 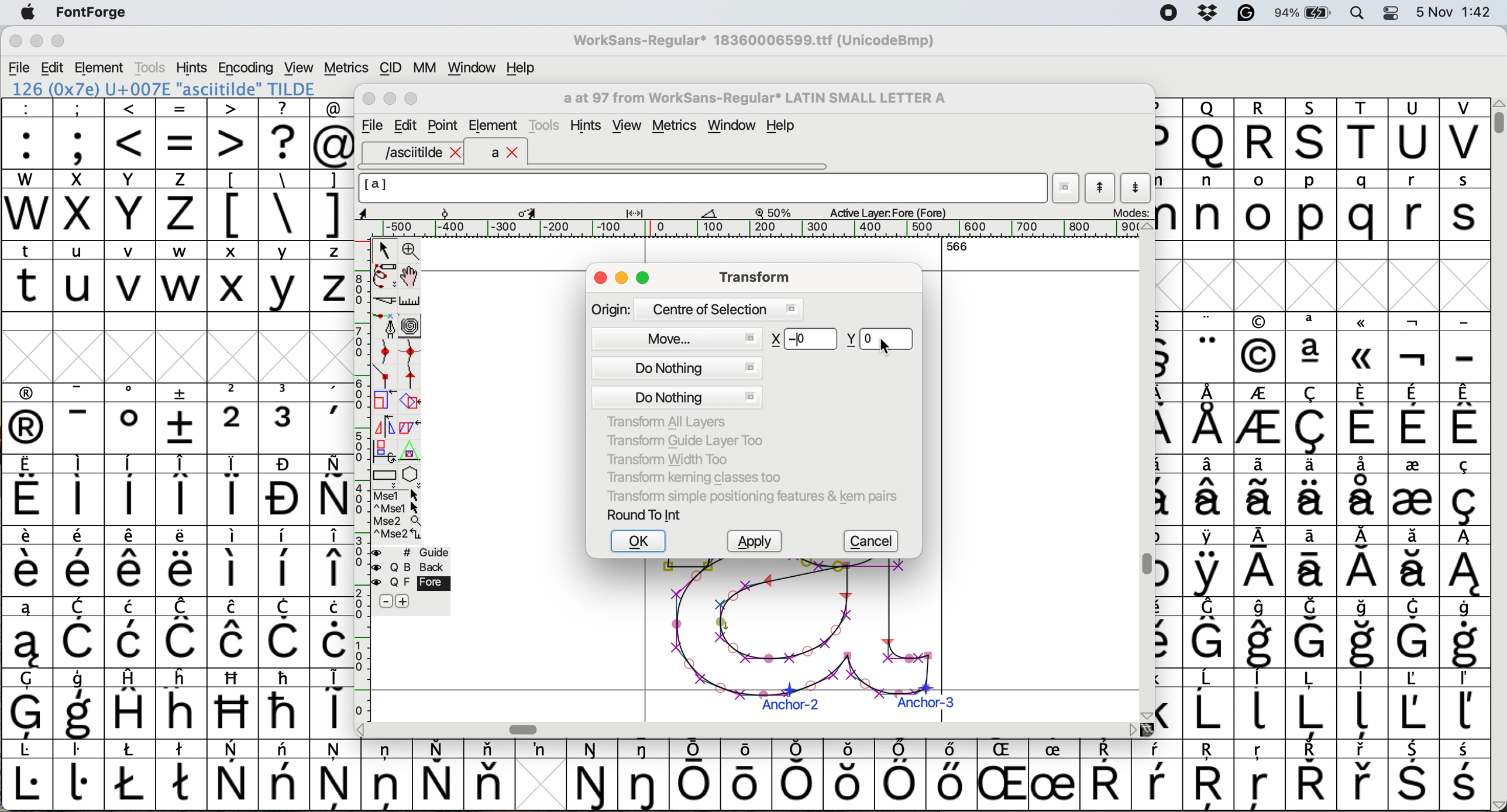 I want to click on symbol, so click(x=949, y=774).